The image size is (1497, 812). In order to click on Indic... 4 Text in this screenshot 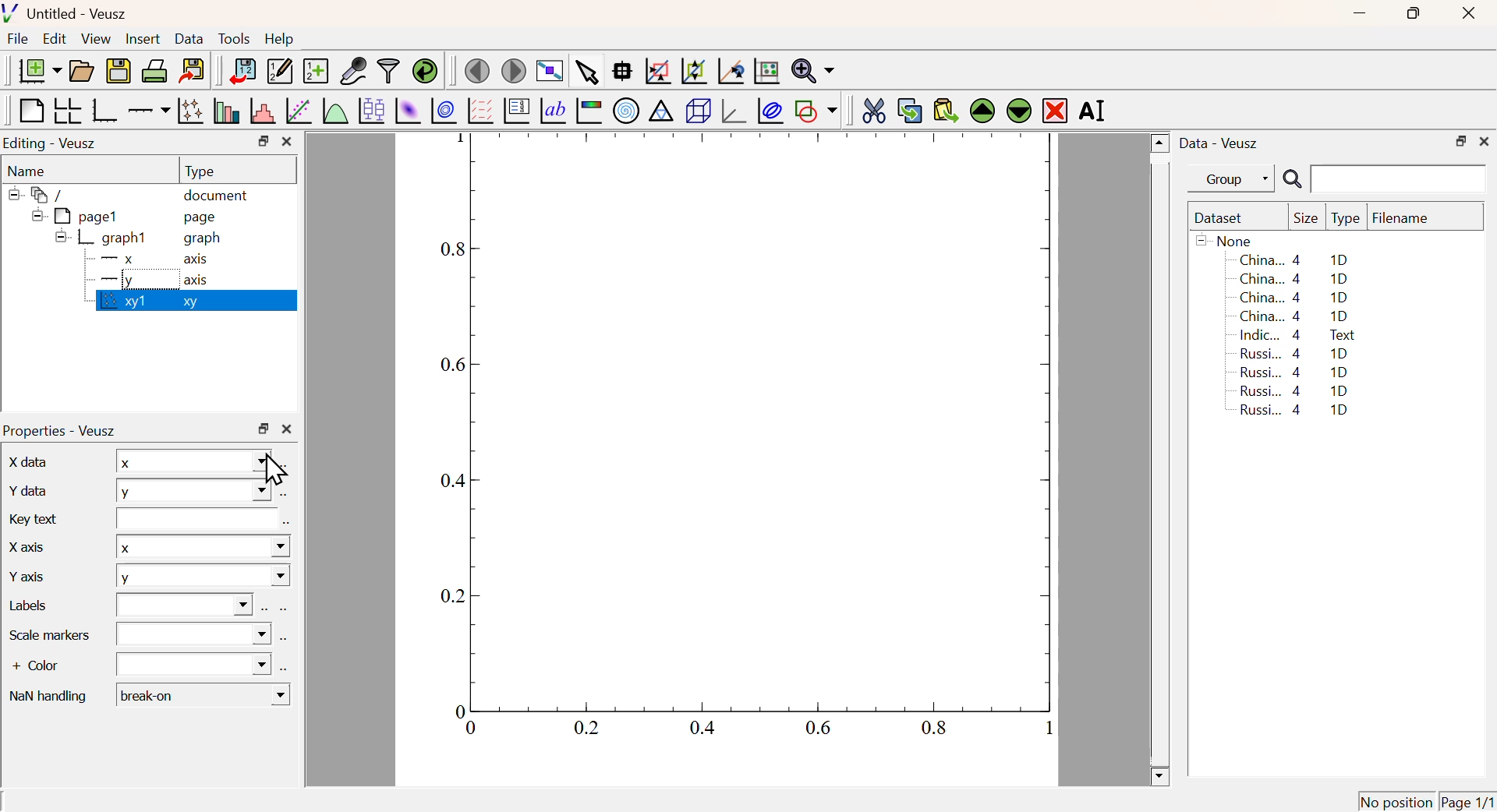, I will do `click(1297, 335)`.